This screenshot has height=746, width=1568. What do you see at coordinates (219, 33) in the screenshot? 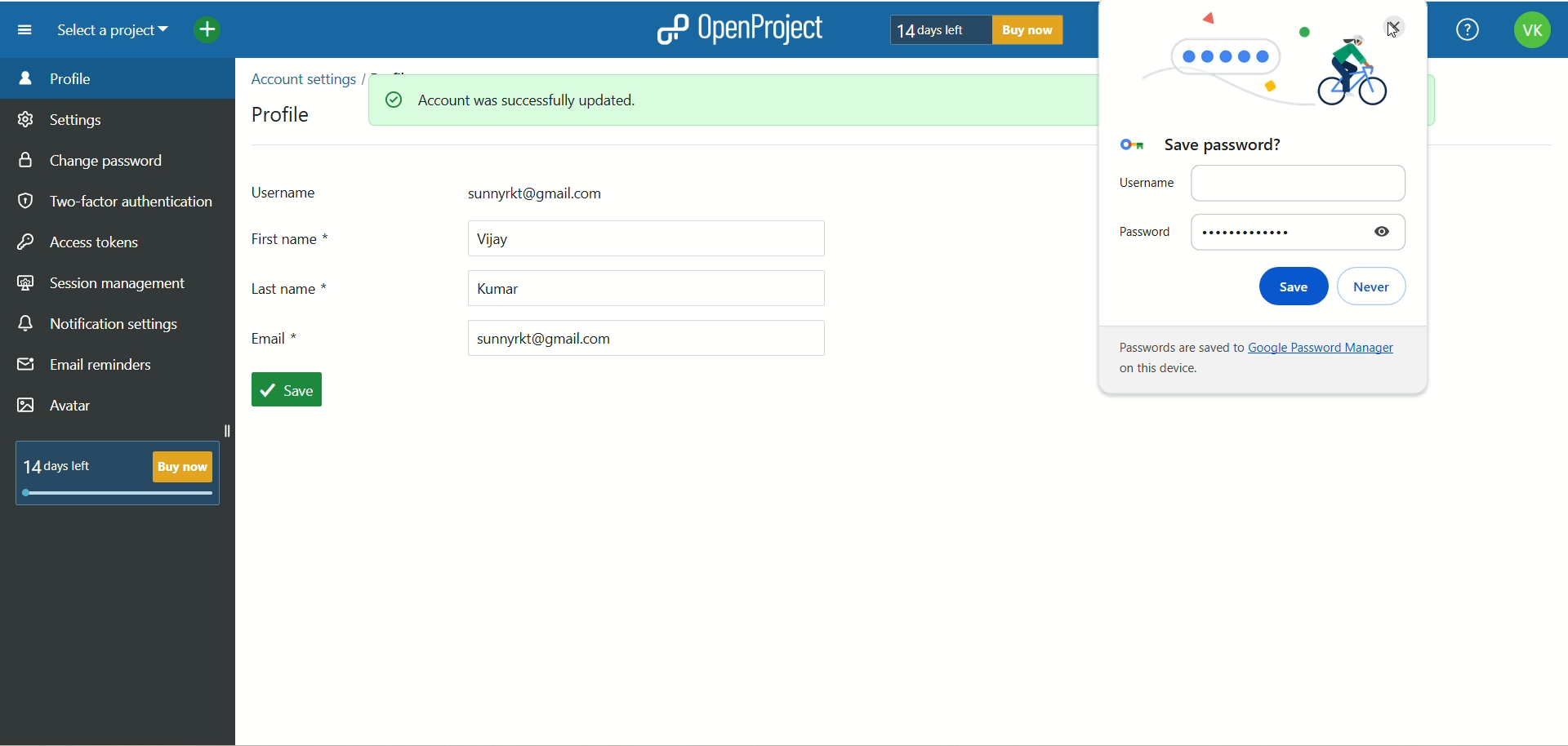
I see `add project` at bounding box center [219, 33].